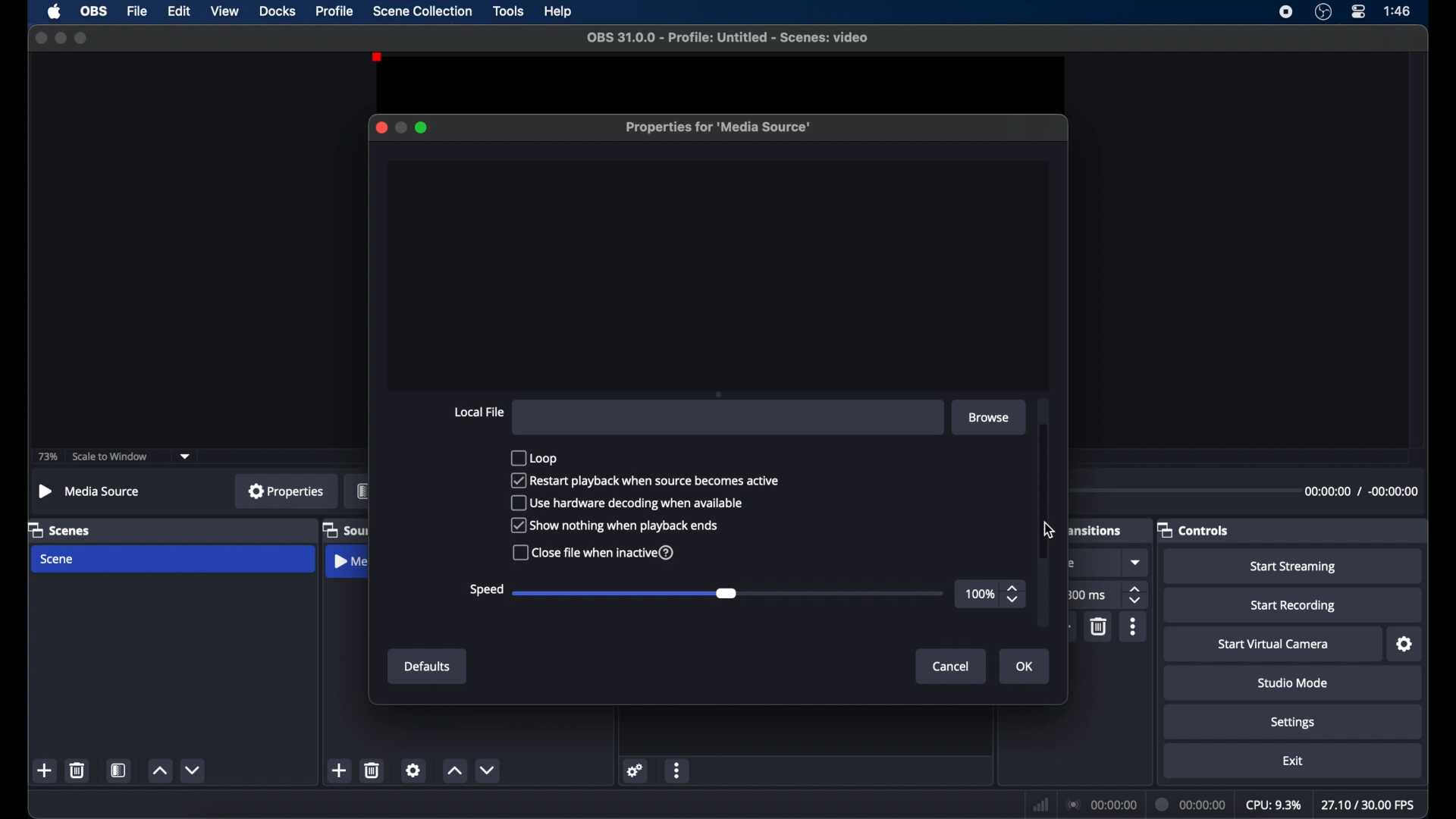 The height and width of the screenshot is (819, 1456). I want to click on start streaming, so click(1293, 567).